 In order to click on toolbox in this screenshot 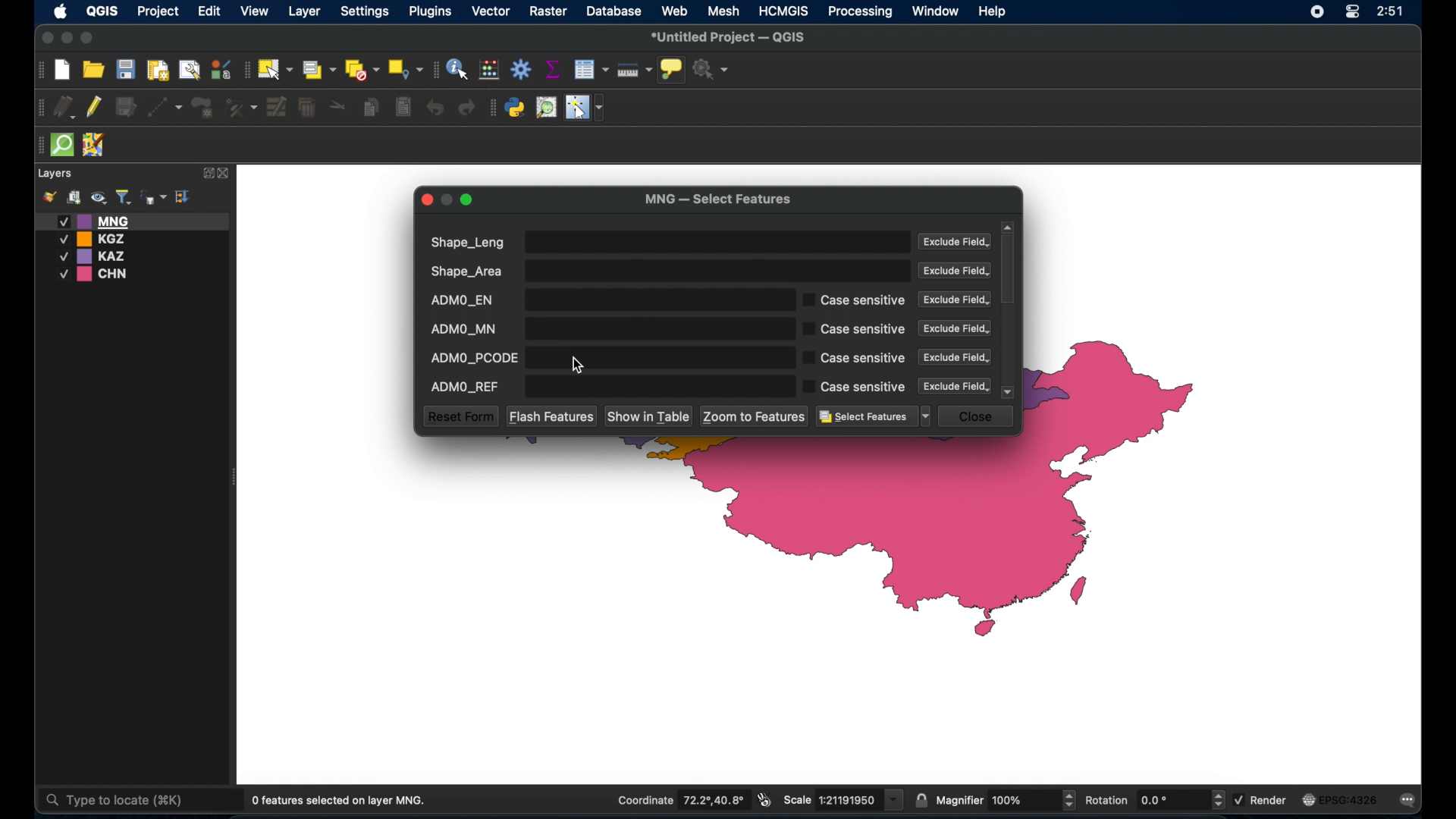, I will do `click(521, 69)`.